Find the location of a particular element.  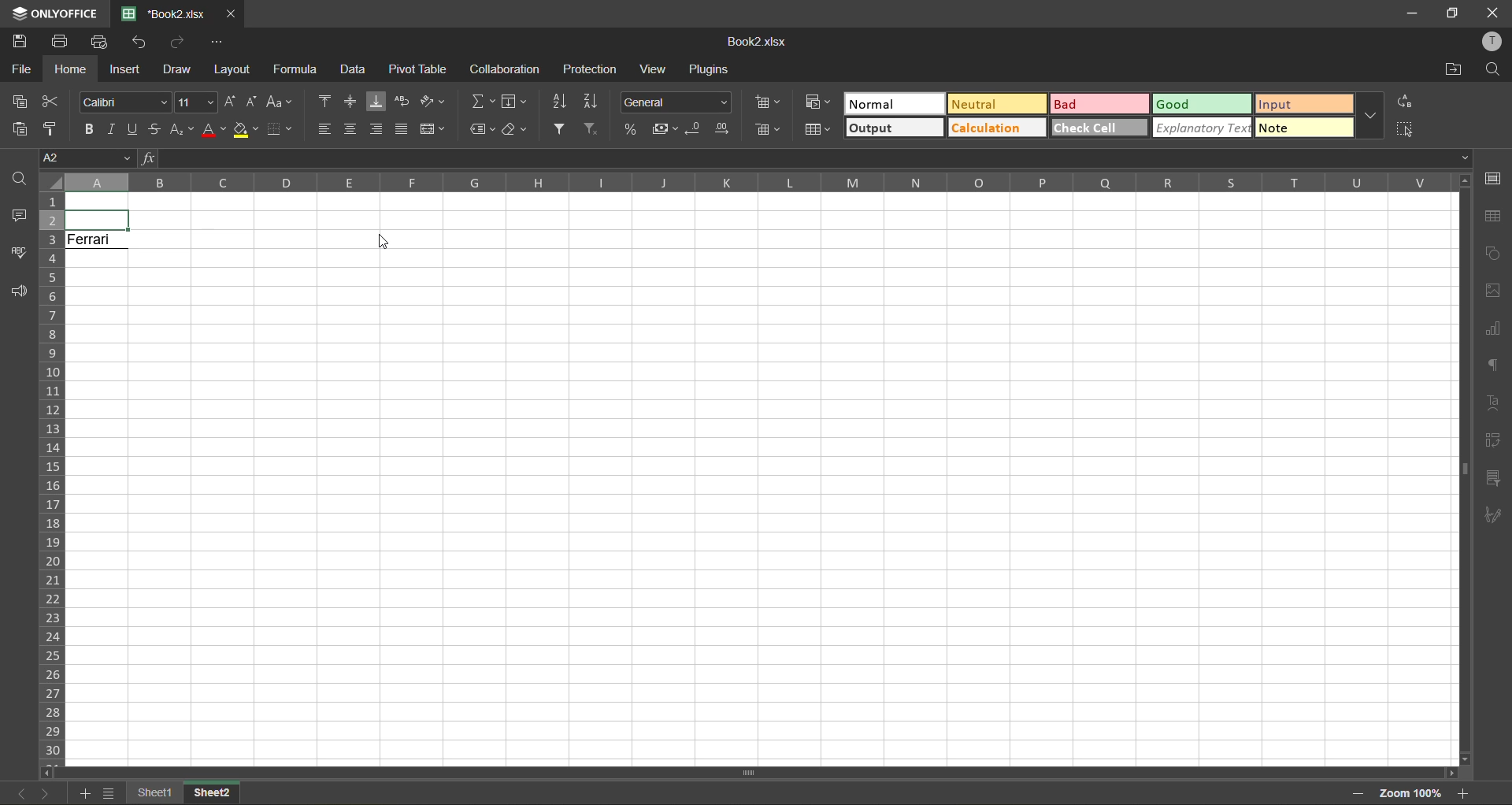

open location is located at coordinates (1455, 69).